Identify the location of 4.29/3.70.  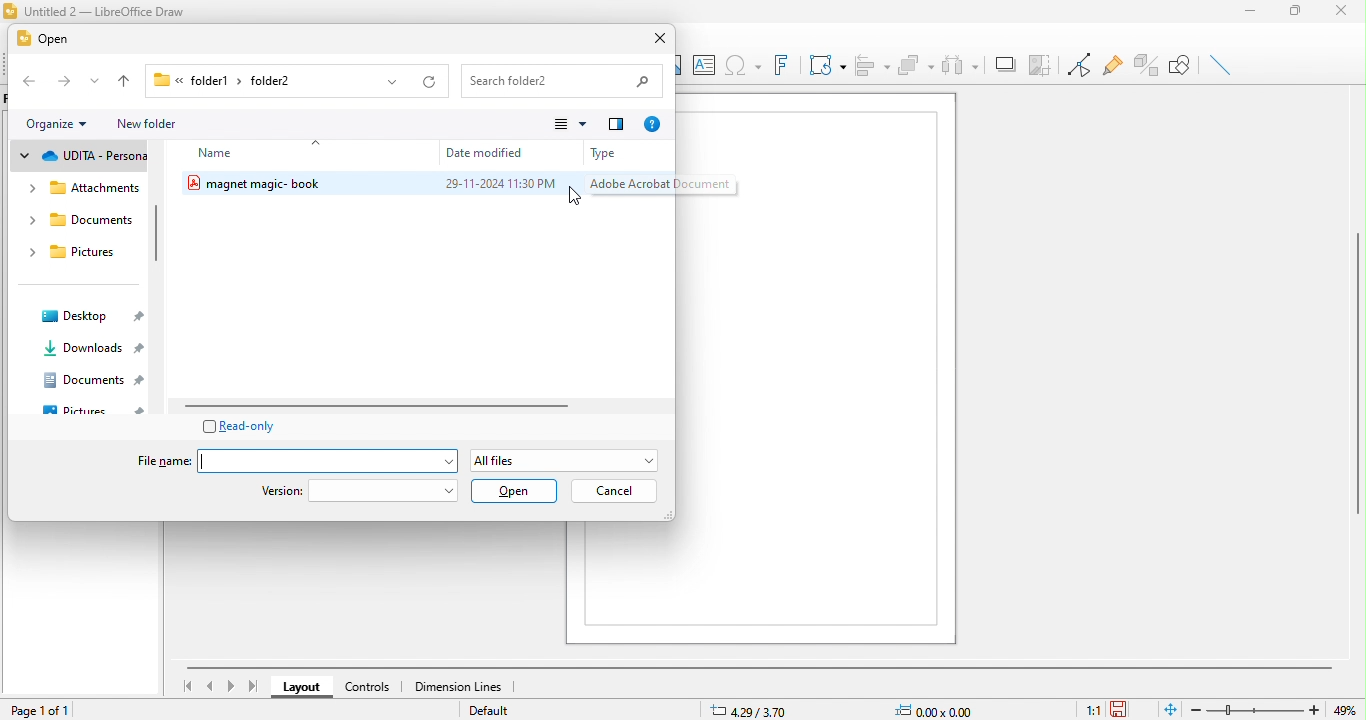
(764, 710).